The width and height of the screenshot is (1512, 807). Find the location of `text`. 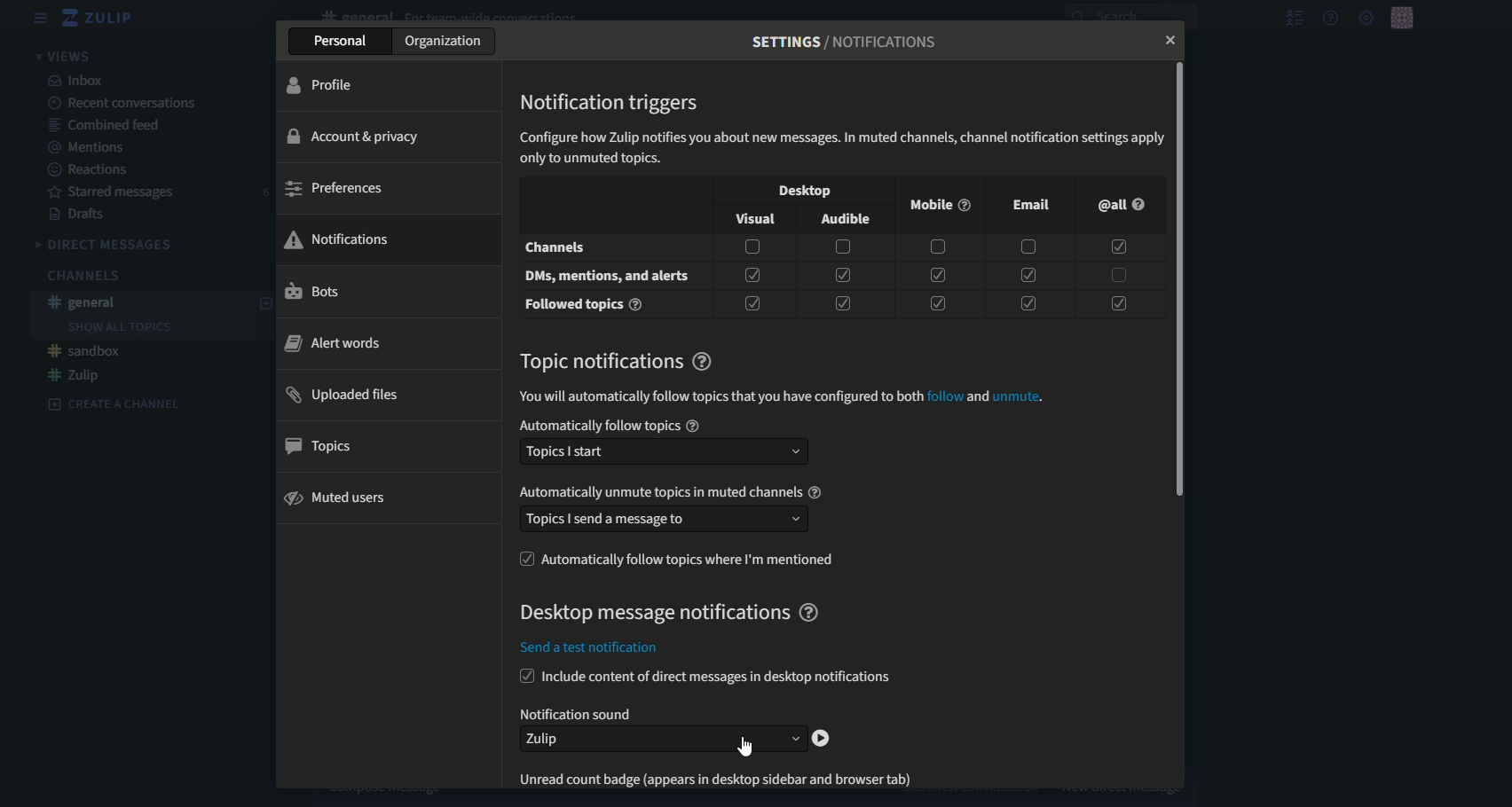

text is located at coordinates (578, 713).